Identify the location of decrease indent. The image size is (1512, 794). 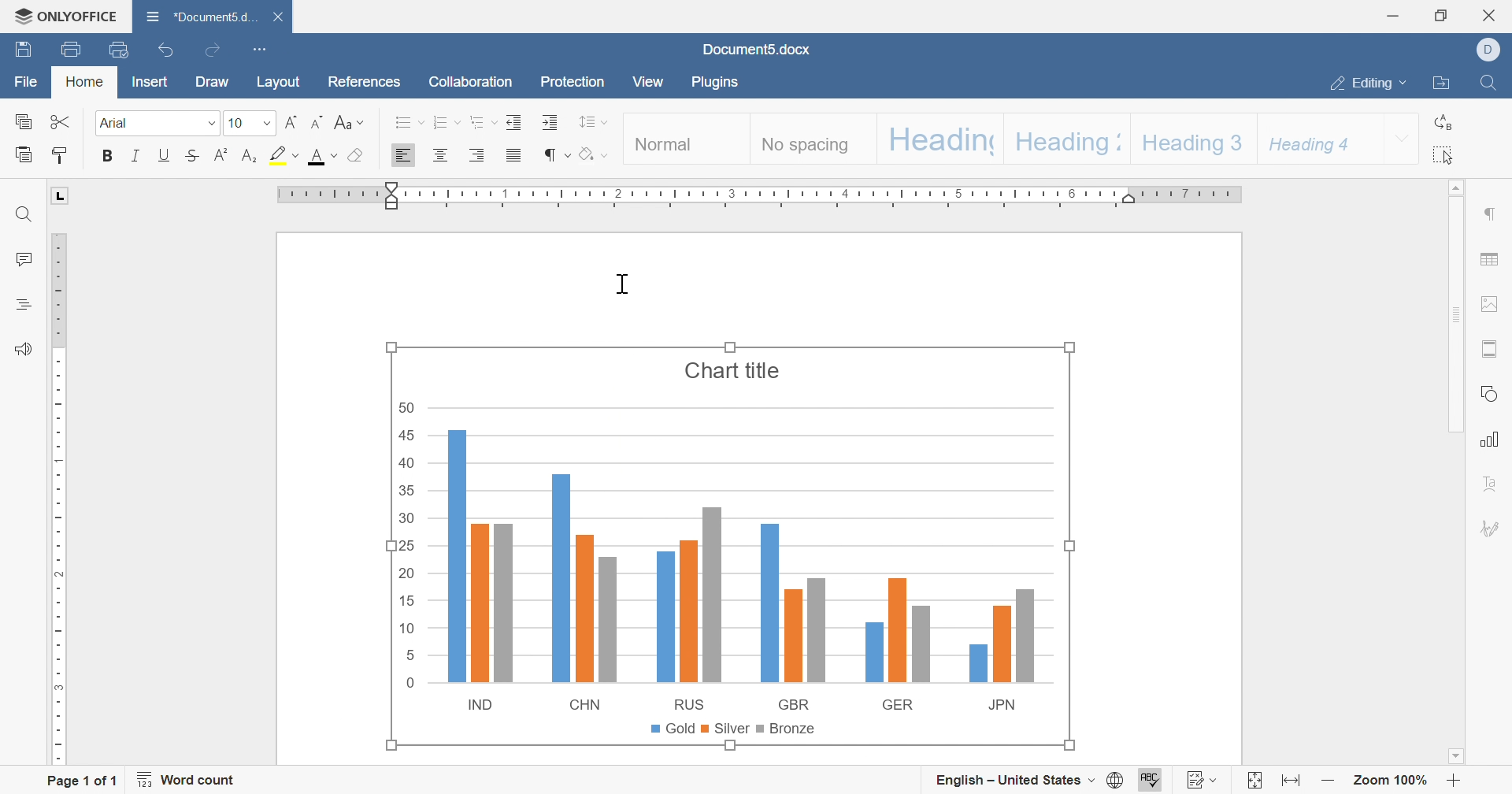
(513, 122).